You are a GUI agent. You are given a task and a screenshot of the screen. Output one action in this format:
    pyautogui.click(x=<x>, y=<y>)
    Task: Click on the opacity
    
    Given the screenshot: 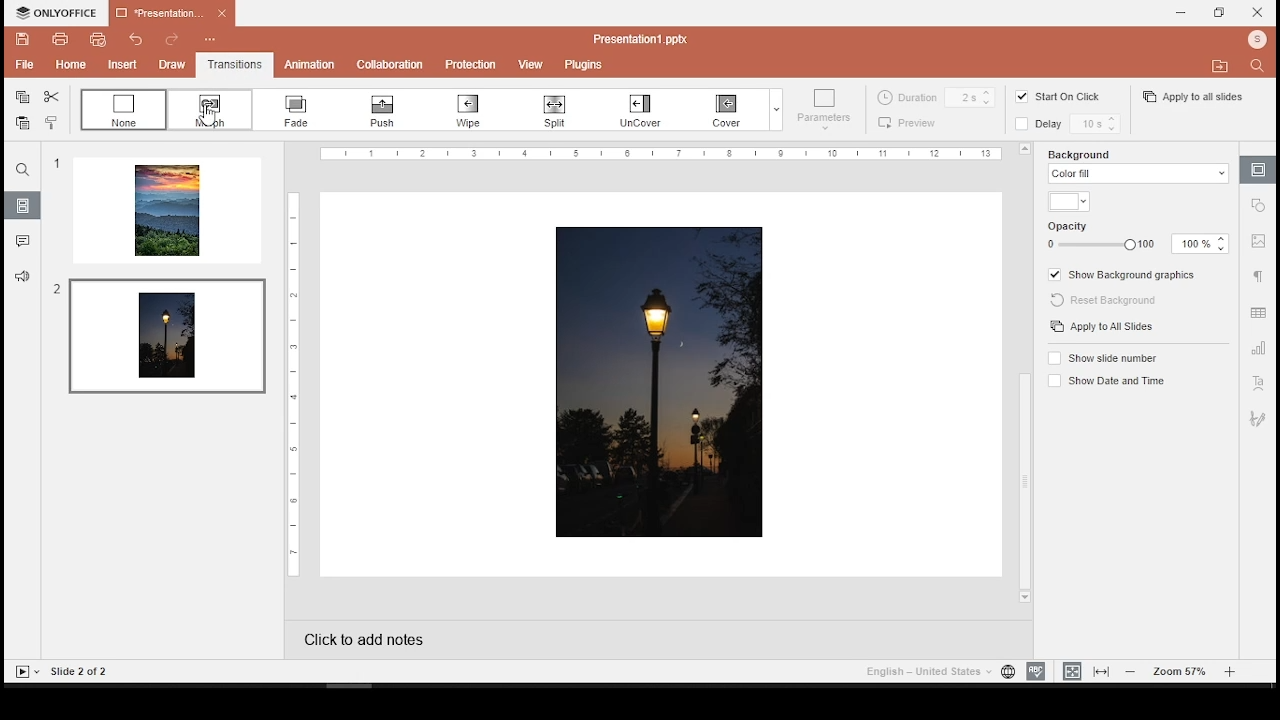 What is the action you would take?
    pyautogui.click(x=1137, y=243)
    